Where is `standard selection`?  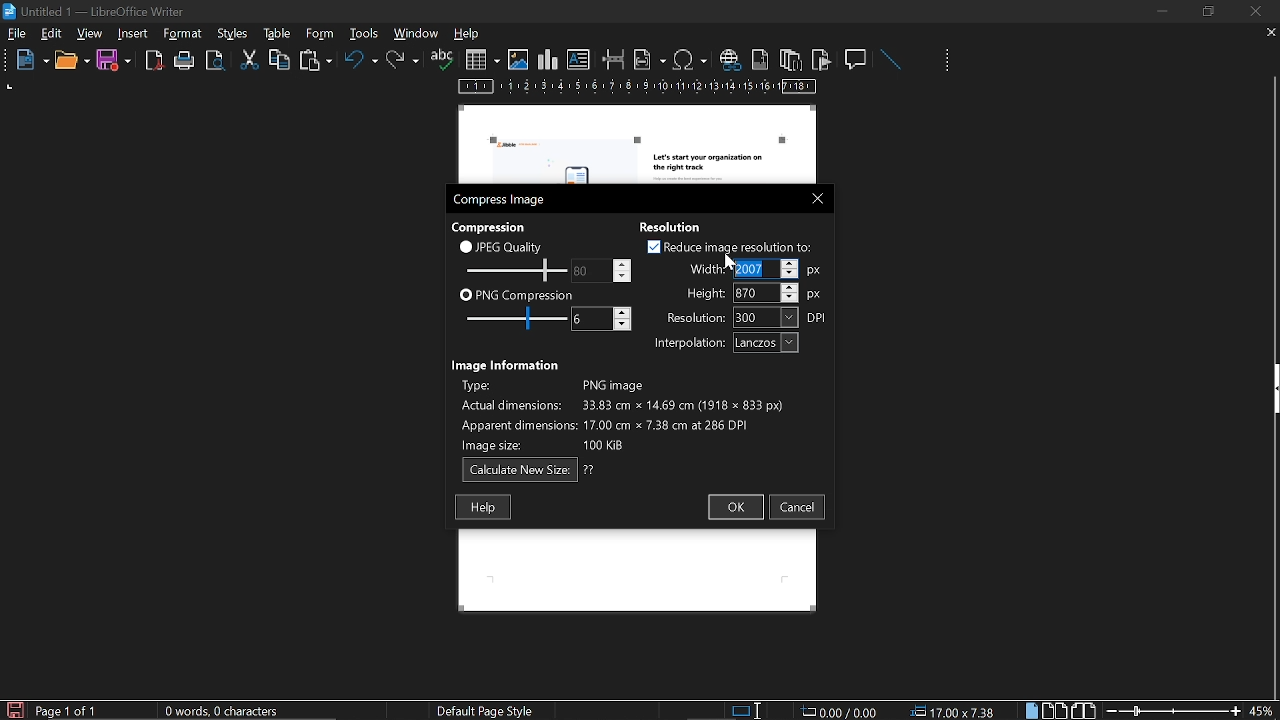 standard selection is located at coordinates (748, 710).